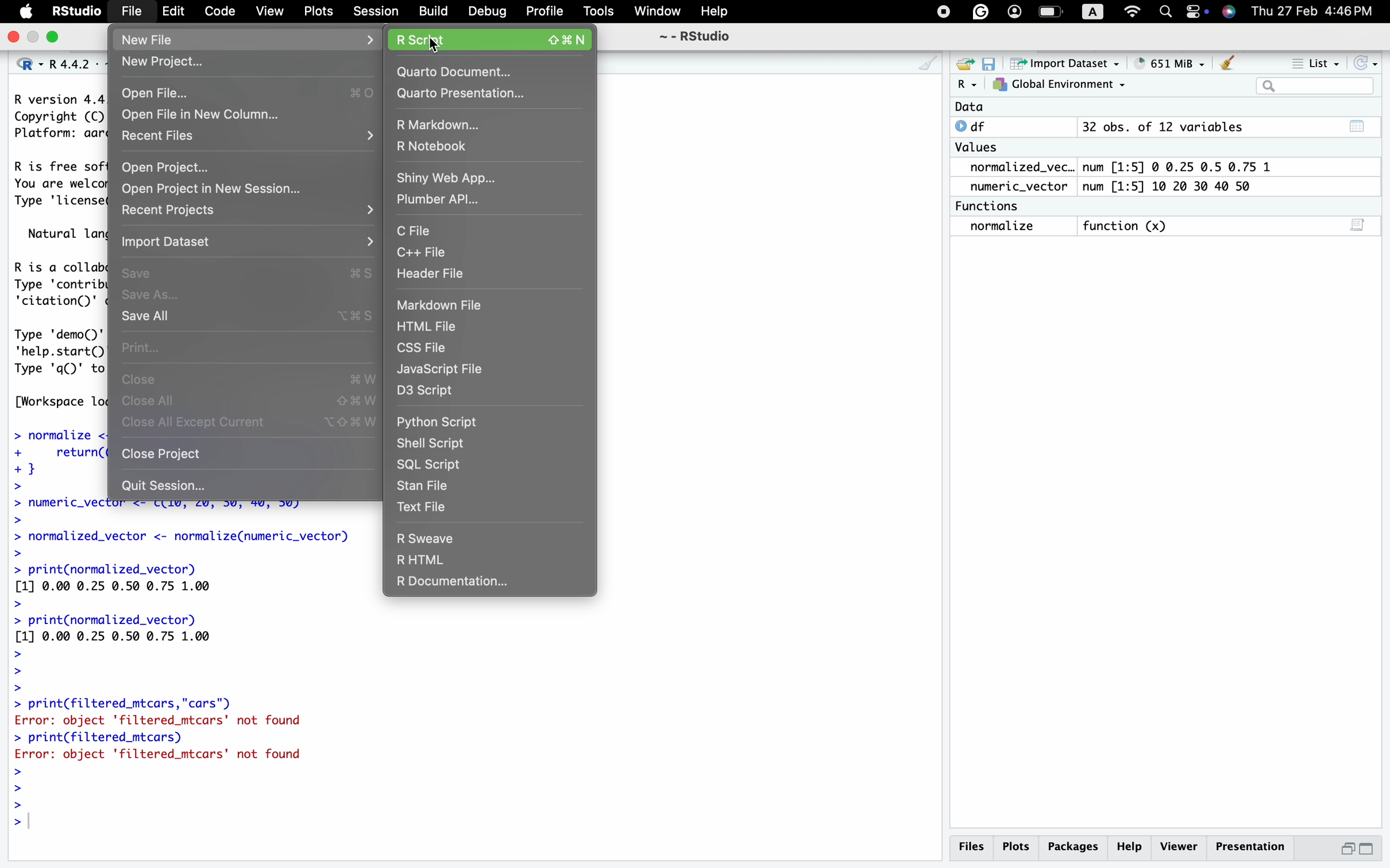 This screenshot has width=1390, height=868. What do you see at coordinates (263, 11) in the screenshot?
I see `View` at bounding box center [263, 11].